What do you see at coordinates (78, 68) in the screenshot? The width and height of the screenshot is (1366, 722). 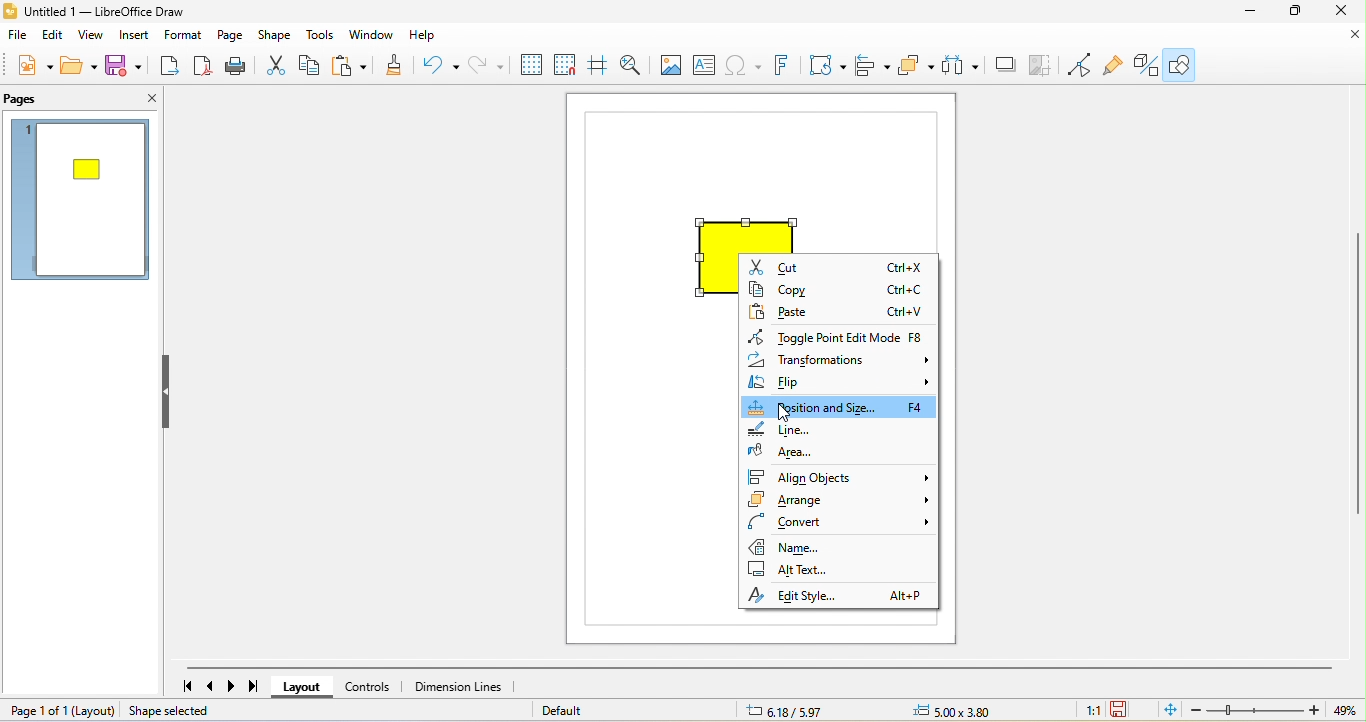 I see `open` at bounding box center [78, 68].